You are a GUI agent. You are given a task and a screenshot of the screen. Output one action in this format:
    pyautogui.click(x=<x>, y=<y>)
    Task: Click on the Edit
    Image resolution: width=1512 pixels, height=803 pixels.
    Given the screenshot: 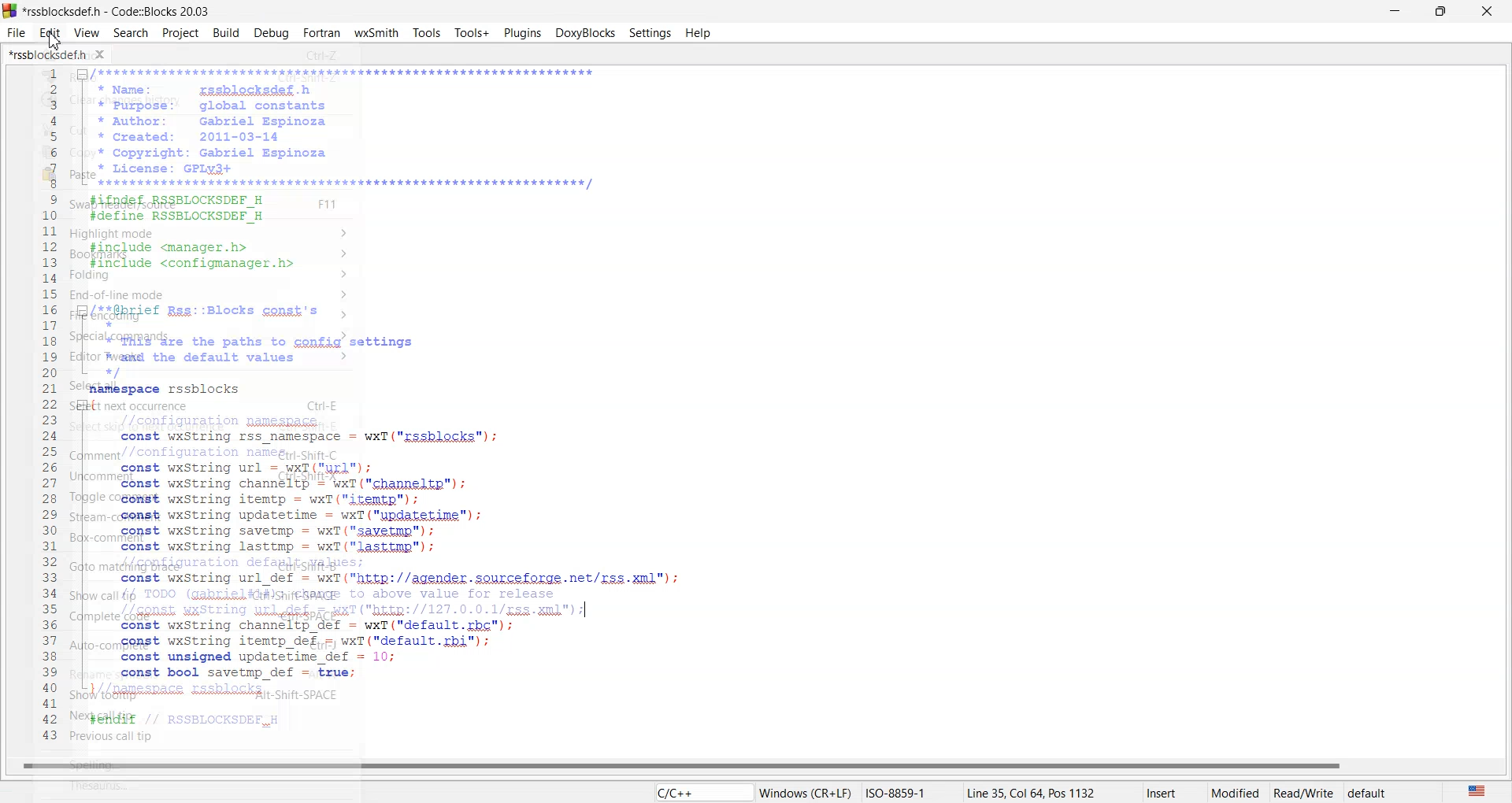 What is the action you would take?
    pyautogui.click(x=50, y=33)
    